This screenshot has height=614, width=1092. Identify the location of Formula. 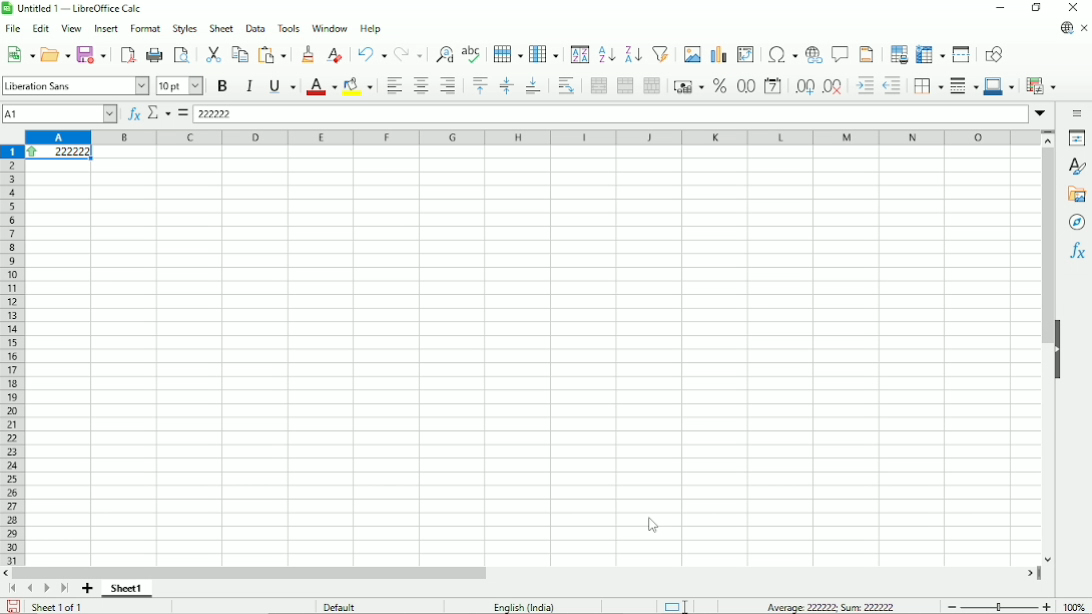
(183, 113).